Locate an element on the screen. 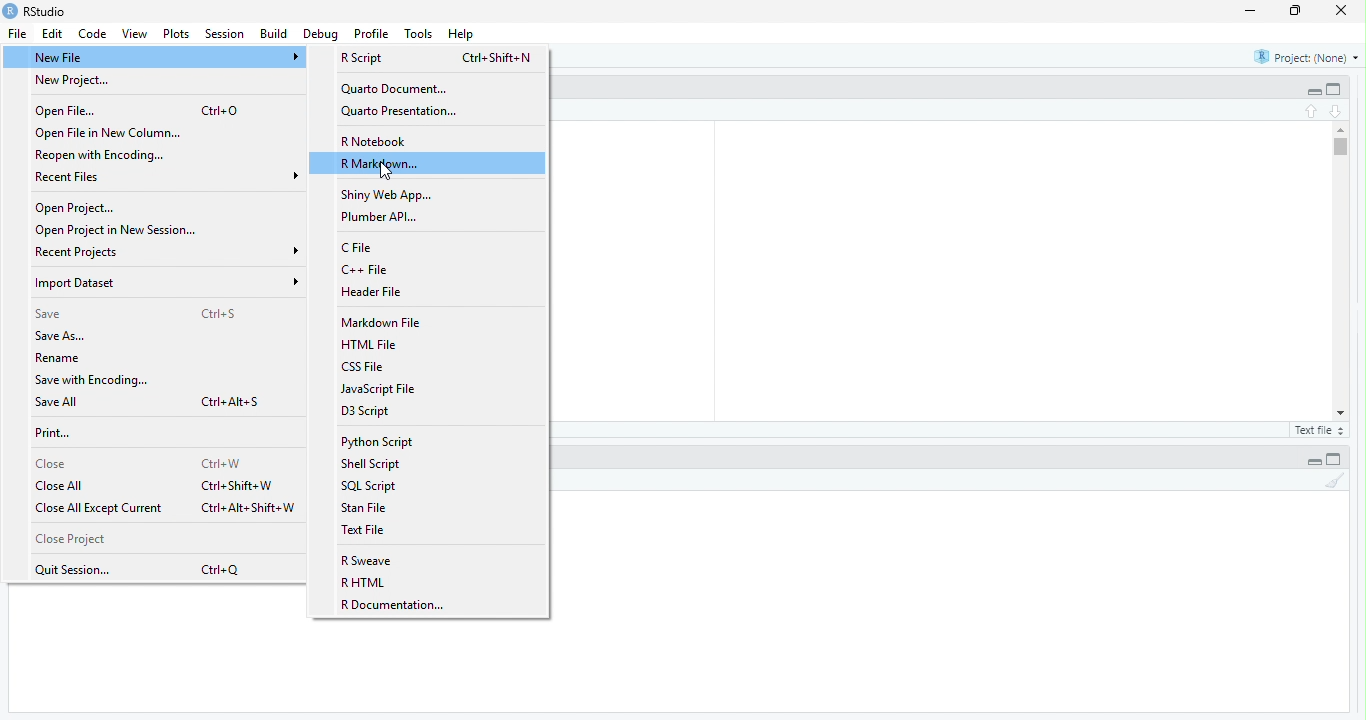 The height and width of the screenshot is (720, 1366). Close All Except Current is located at coordinates (102, 509).